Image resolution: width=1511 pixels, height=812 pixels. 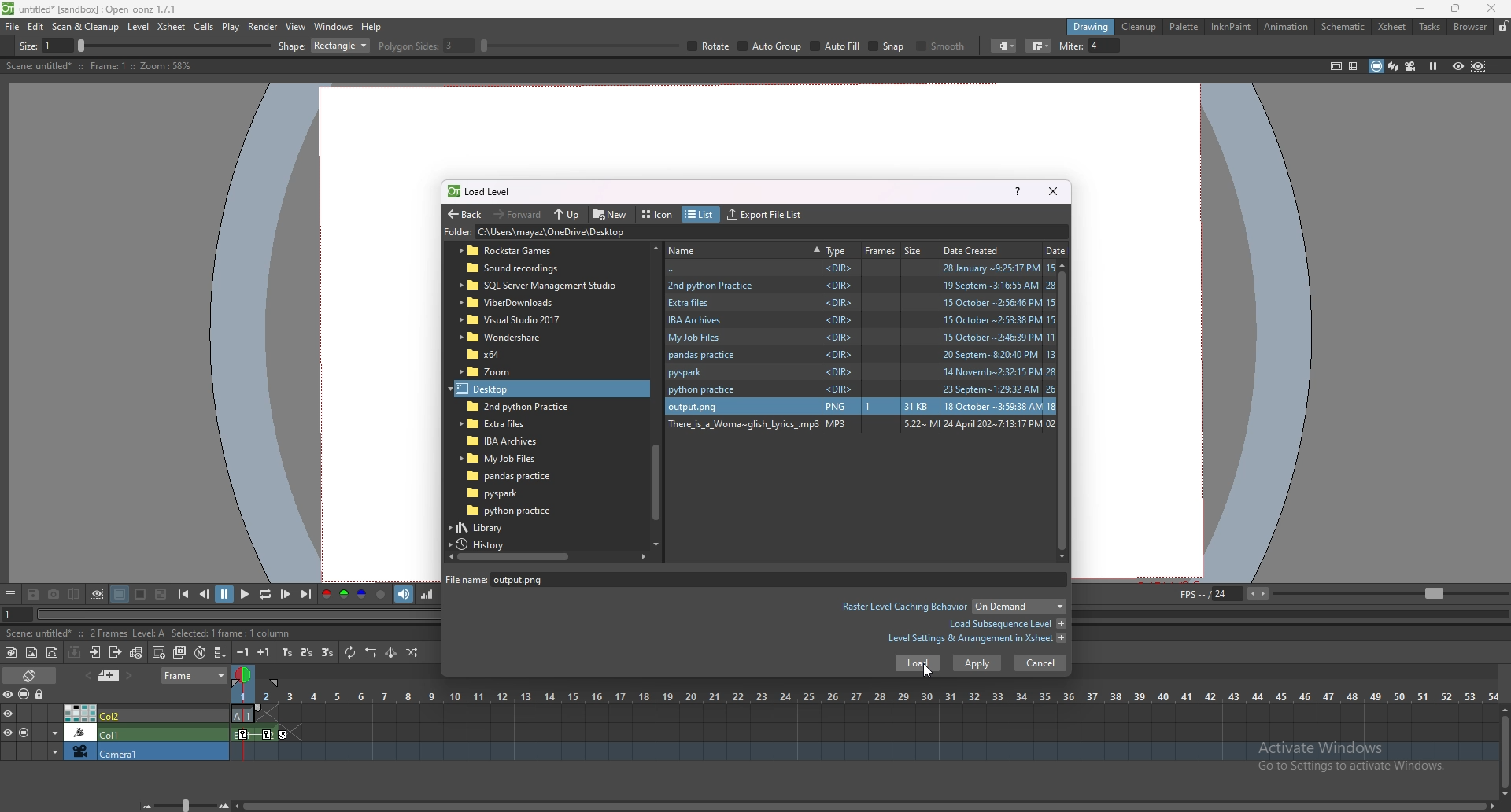 What do you see at coordinates (1184, 26) in the screenshot?
I see `palette` at bounding box center [1184, 26].